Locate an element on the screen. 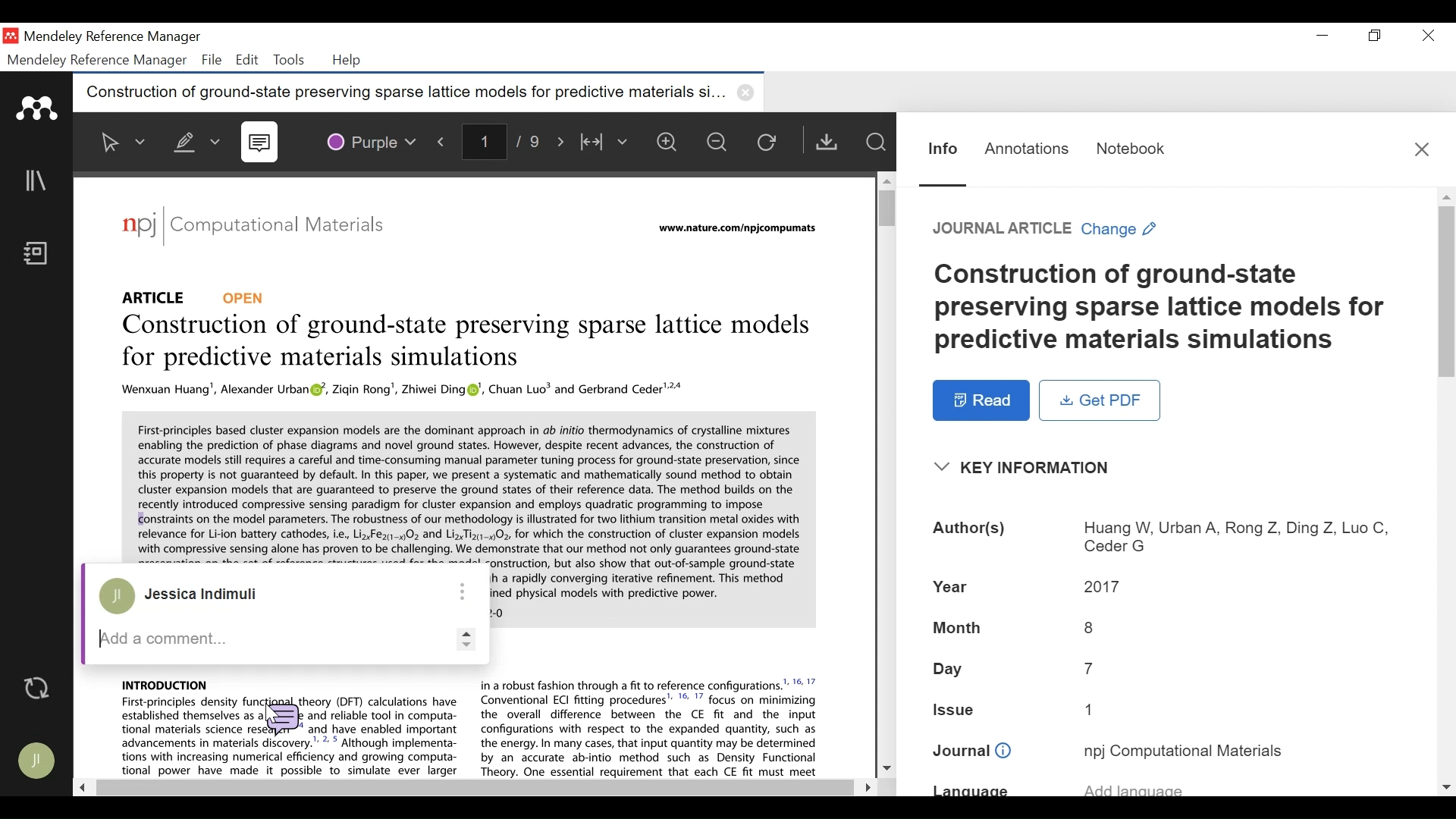 This screenshot has height=819, width=1456. Read is located at coordinates (981, 400).